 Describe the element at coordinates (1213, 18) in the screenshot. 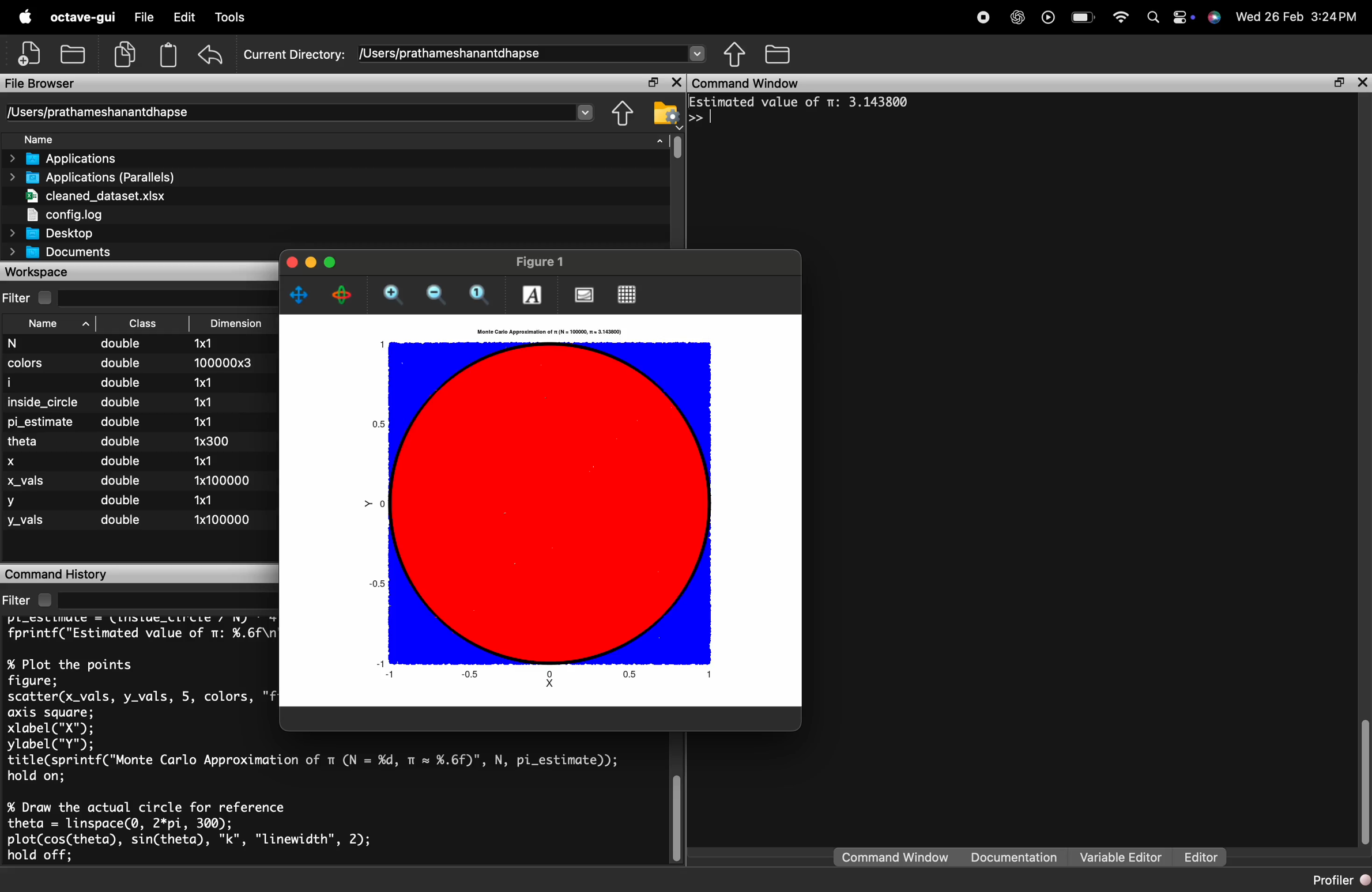

I see `siri` at that location.